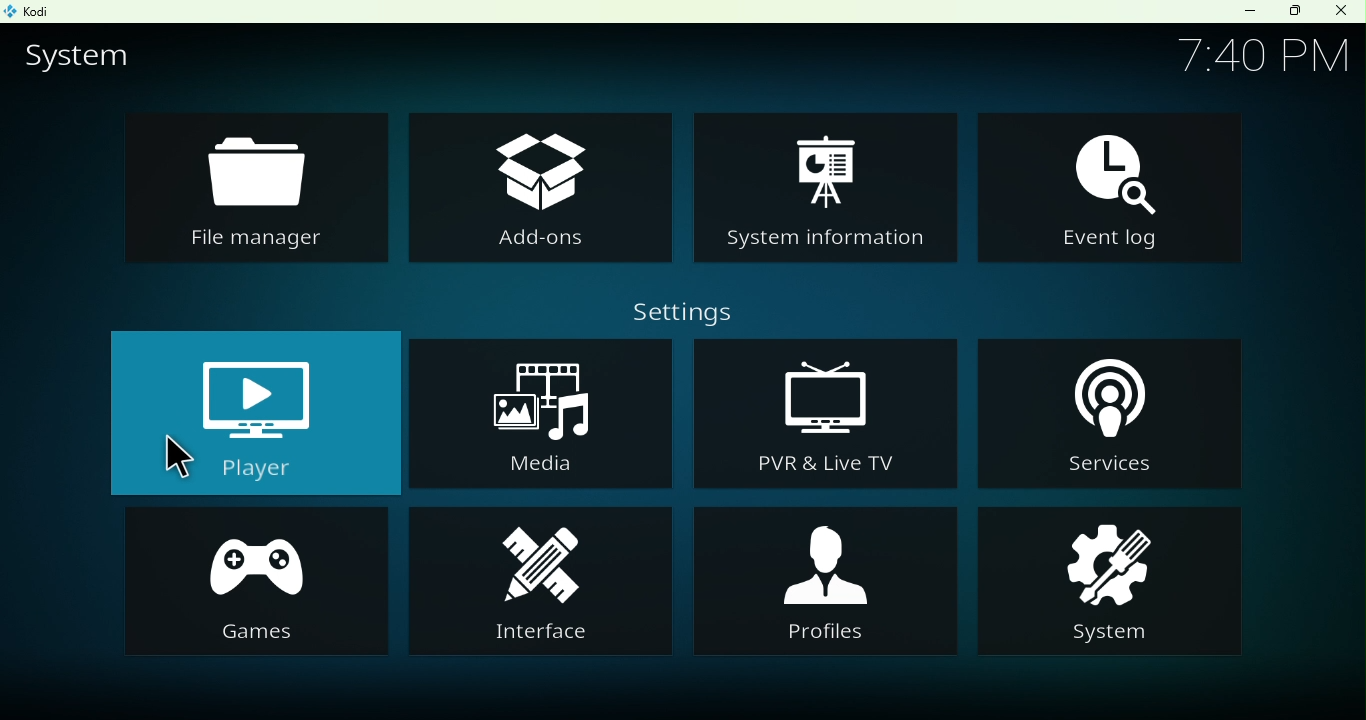 The height and width of the screenshot is (720, 1366). I want to click on Event log, so click(1102, 195).